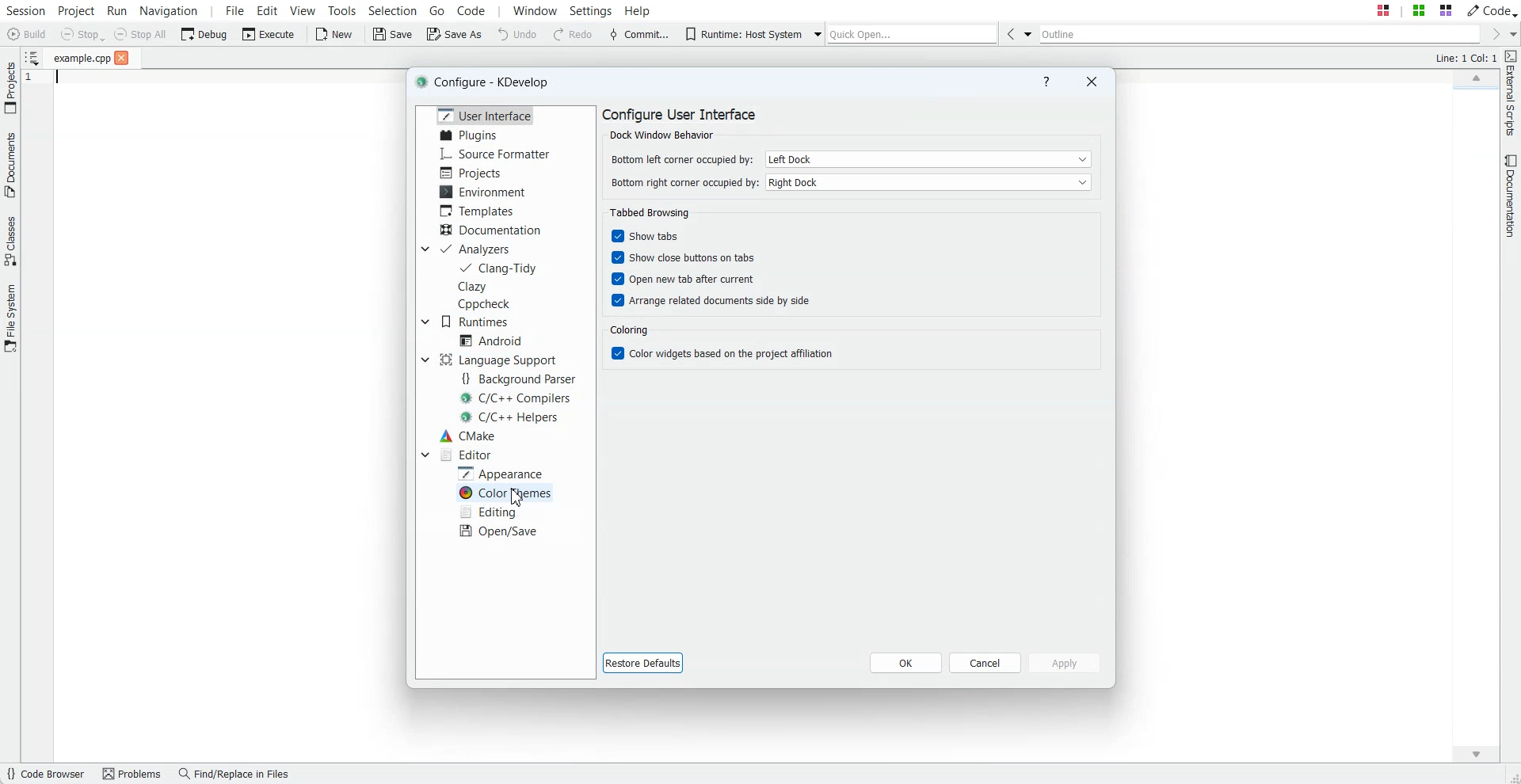 This screenshot has width=1521, height=784. What do you see at coordinates (134, 774) in the screenshot?
I see `Problems` at bounding box center [134, 774].